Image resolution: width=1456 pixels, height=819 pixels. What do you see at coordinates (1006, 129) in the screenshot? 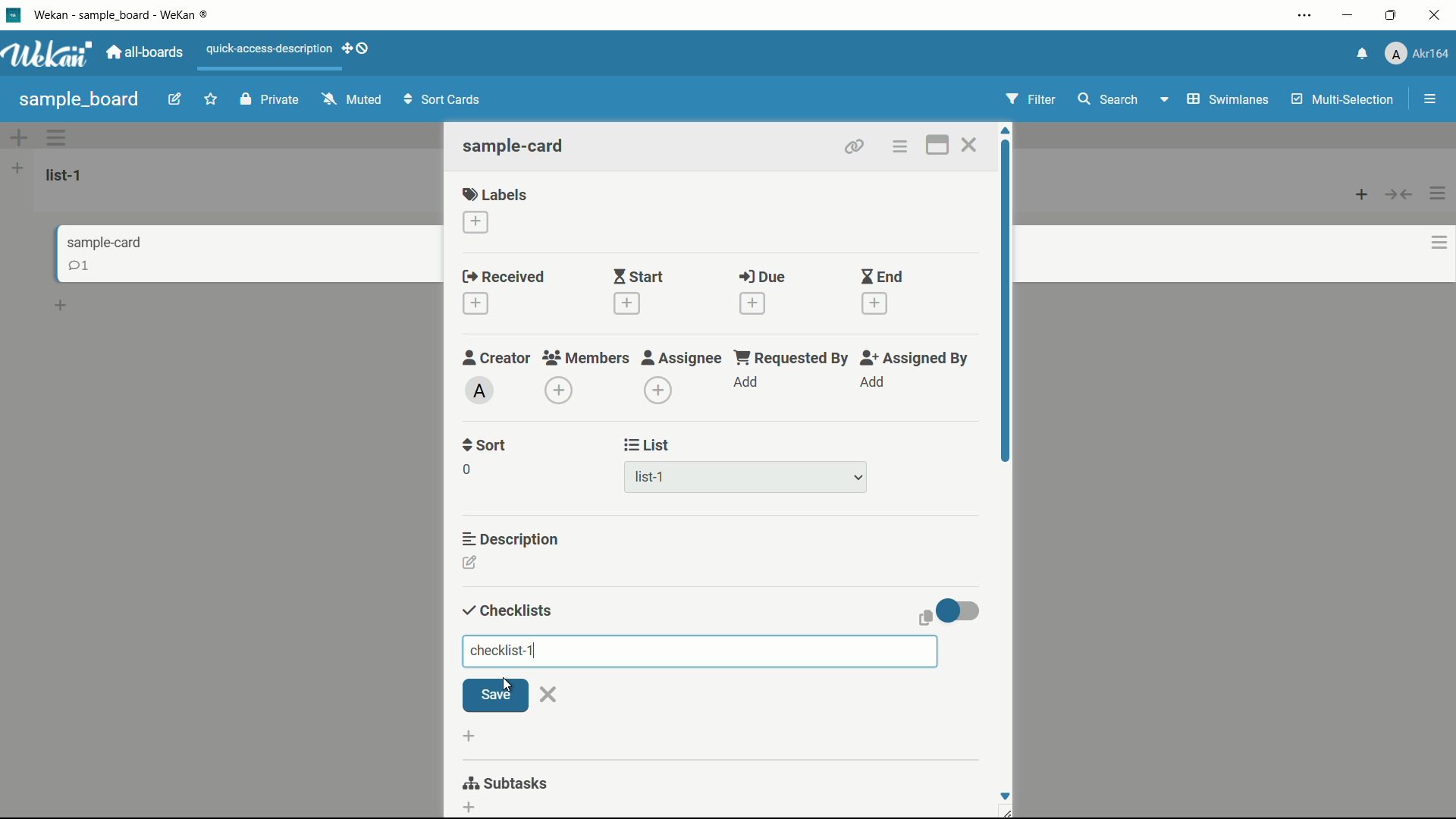
I see `scroll up` at bounding box center [1006, 129].